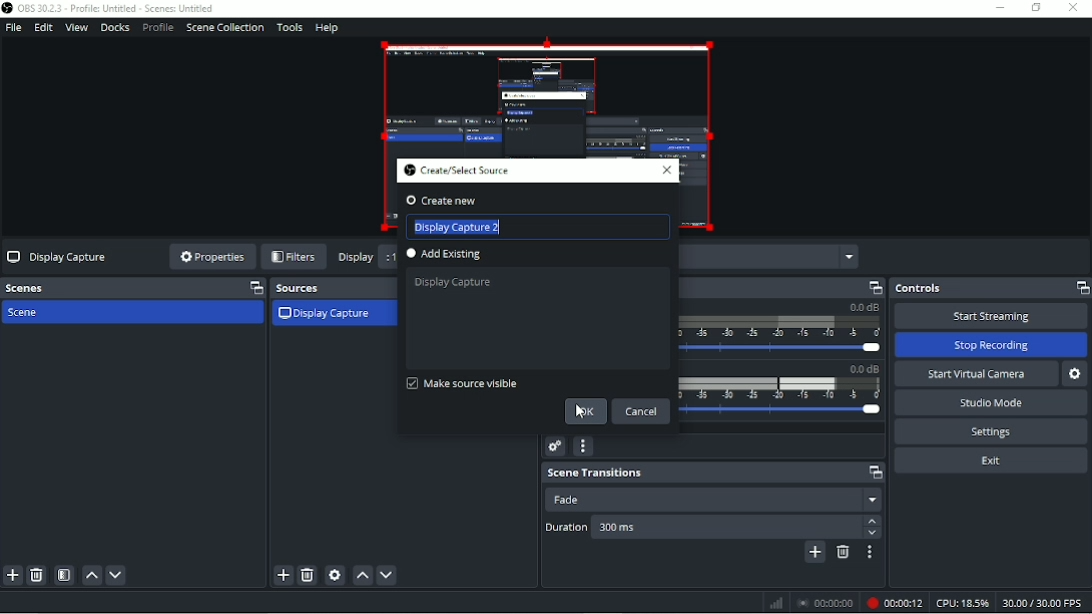 This screenshot has width=1092, height=614. I want to click on Display capture, so click(57, 257).